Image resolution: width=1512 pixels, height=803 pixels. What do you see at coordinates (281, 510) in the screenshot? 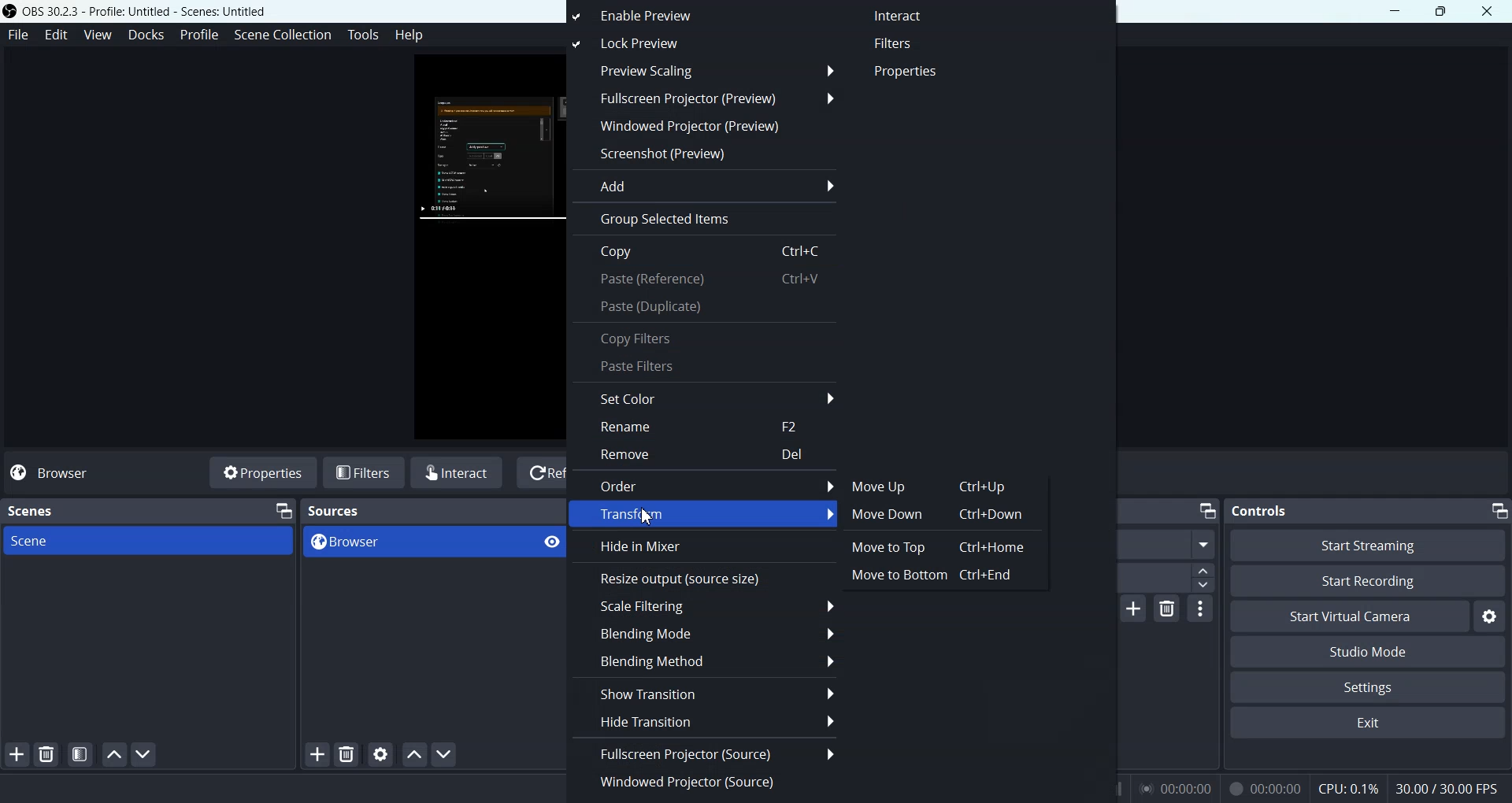
I see `Minimize` at bounding box center [281, 510].